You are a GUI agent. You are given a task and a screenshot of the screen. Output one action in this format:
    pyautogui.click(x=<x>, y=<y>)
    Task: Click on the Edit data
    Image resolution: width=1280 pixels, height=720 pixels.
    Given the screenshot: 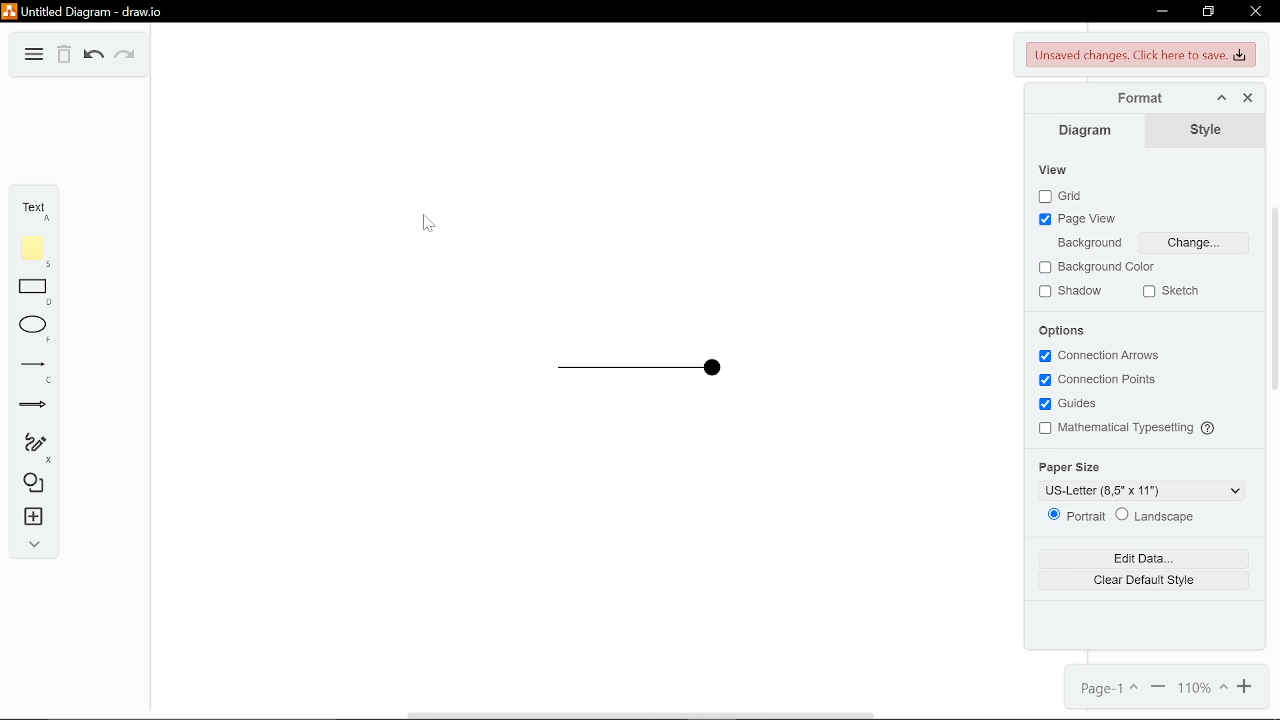 What is the action you would take?
    pyautogui.click(x=1132, y=556)
    